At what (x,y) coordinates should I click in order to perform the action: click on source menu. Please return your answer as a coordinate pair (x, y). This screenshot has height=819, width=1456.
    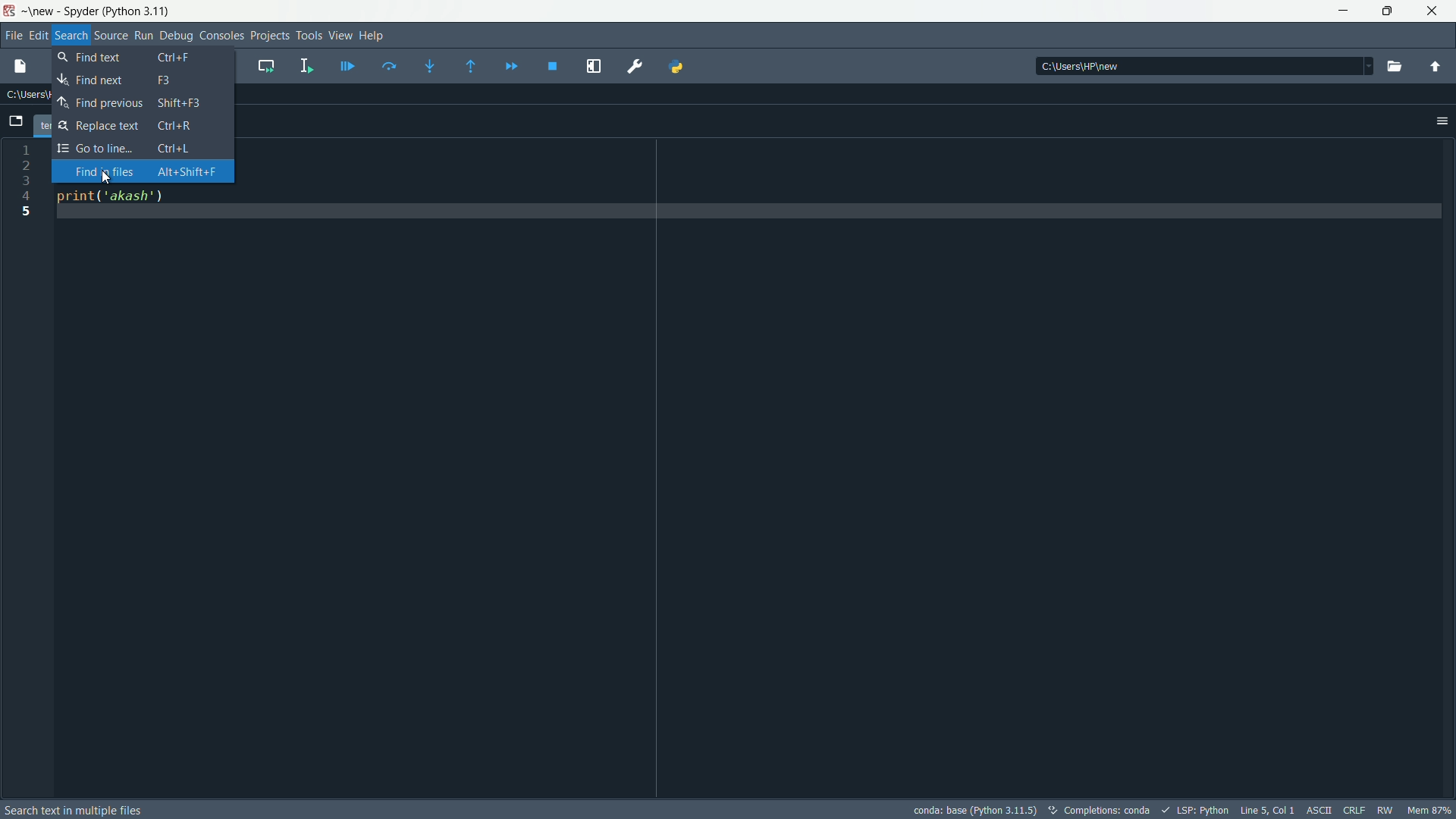
    Looking at the image, I should click on (108, 36).